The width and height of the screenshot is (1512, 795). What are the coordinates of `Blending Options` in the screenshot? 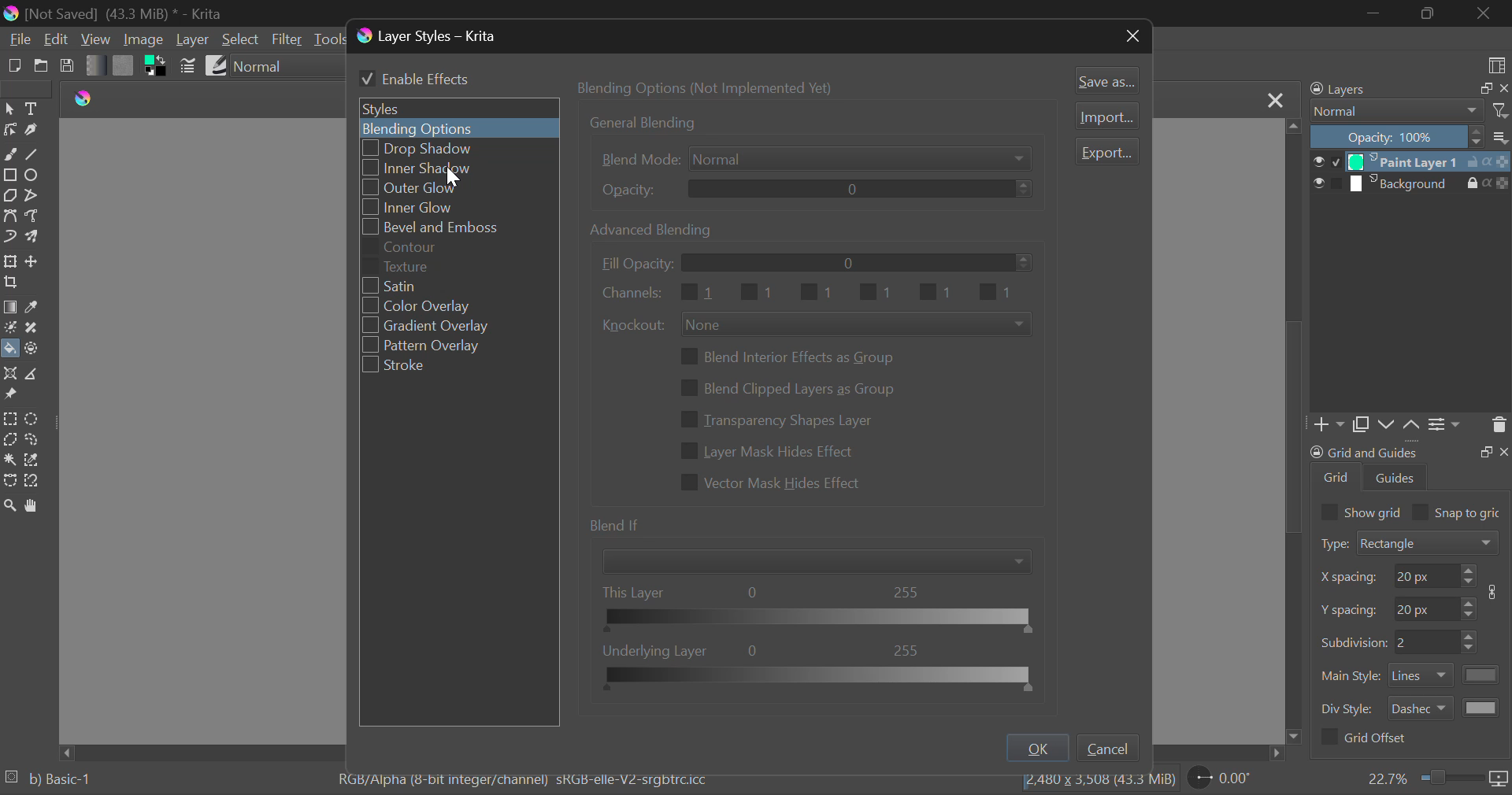 It's located at (455, 128).